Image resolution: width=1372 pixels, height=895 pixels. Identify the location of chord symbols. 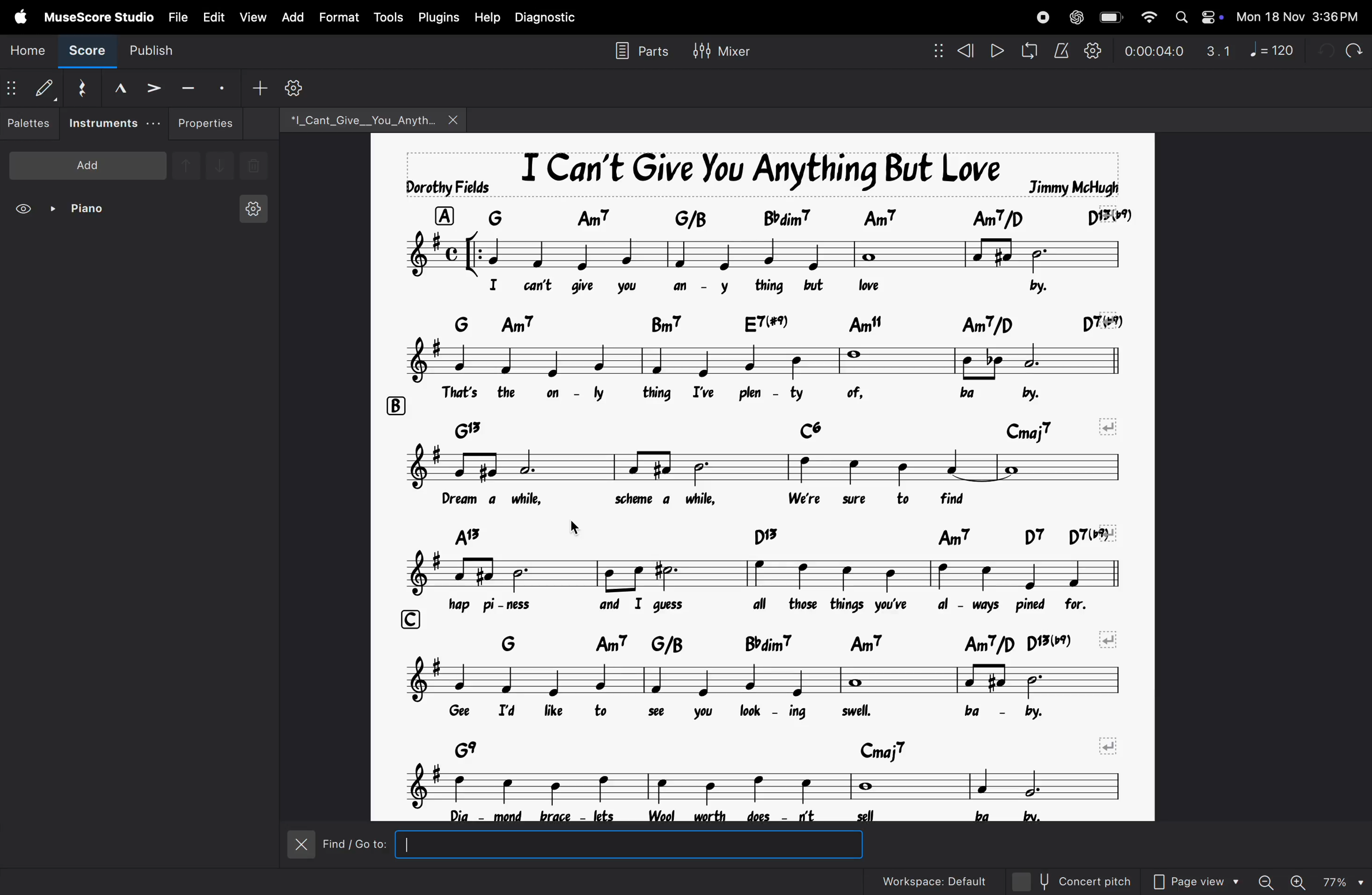
(783, 426).